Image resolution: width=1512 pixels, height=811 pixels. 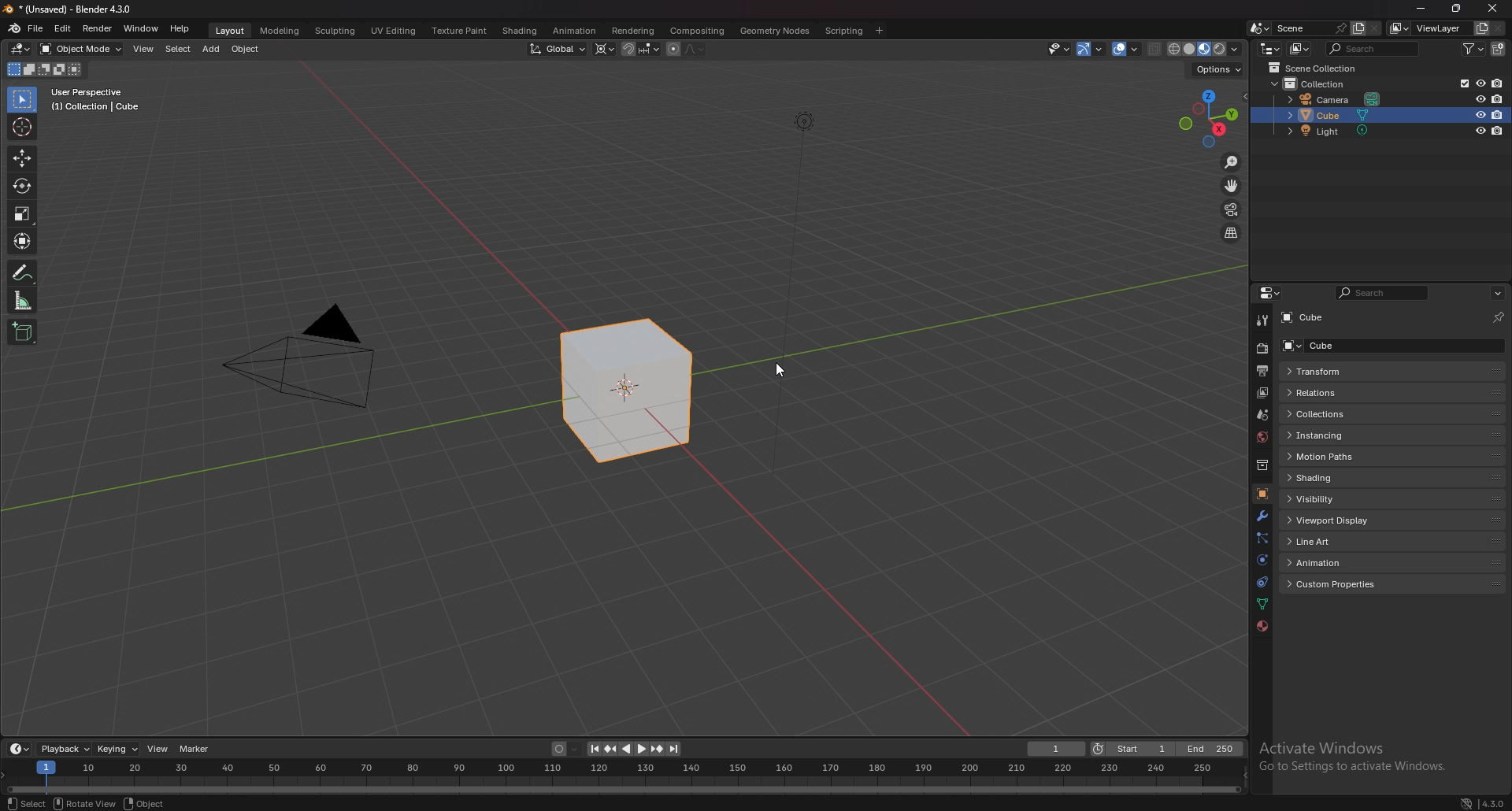 I want to click on display mode, so click(x=1299, y=49).